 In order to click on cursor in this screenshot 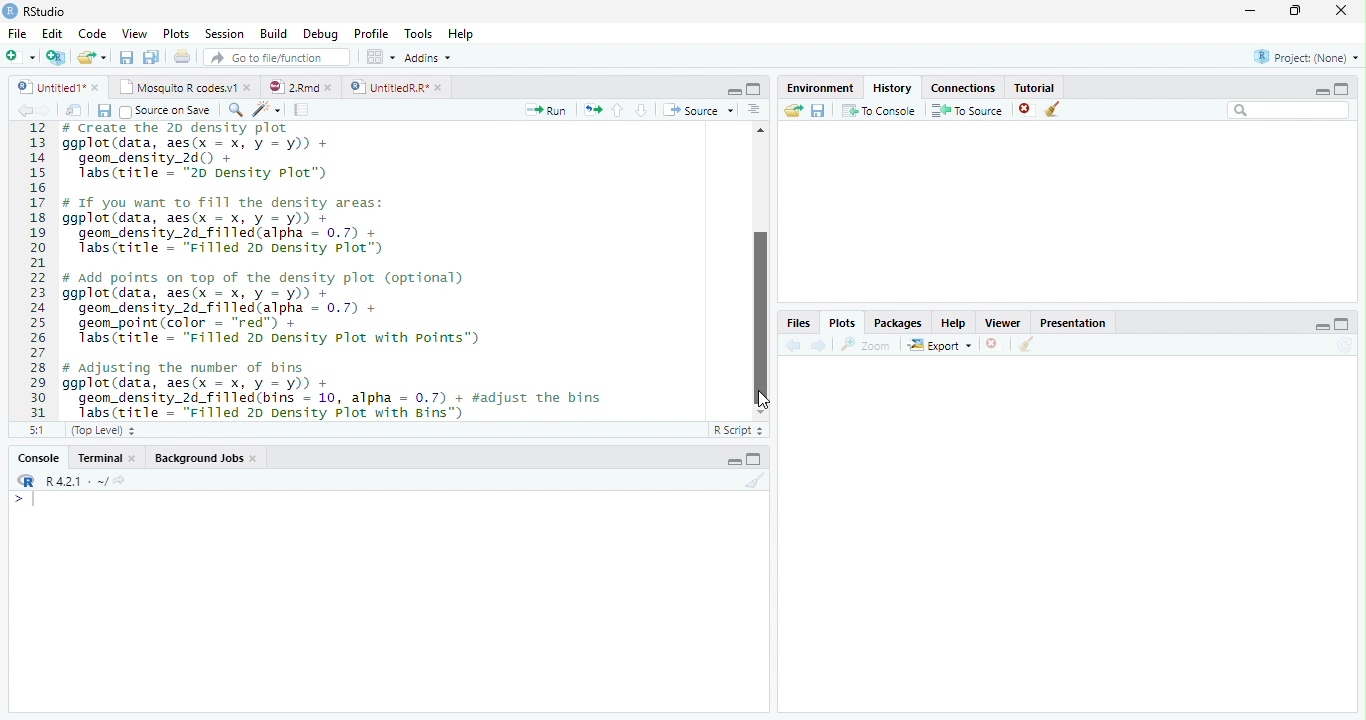, I will do `click(762, 391)`.